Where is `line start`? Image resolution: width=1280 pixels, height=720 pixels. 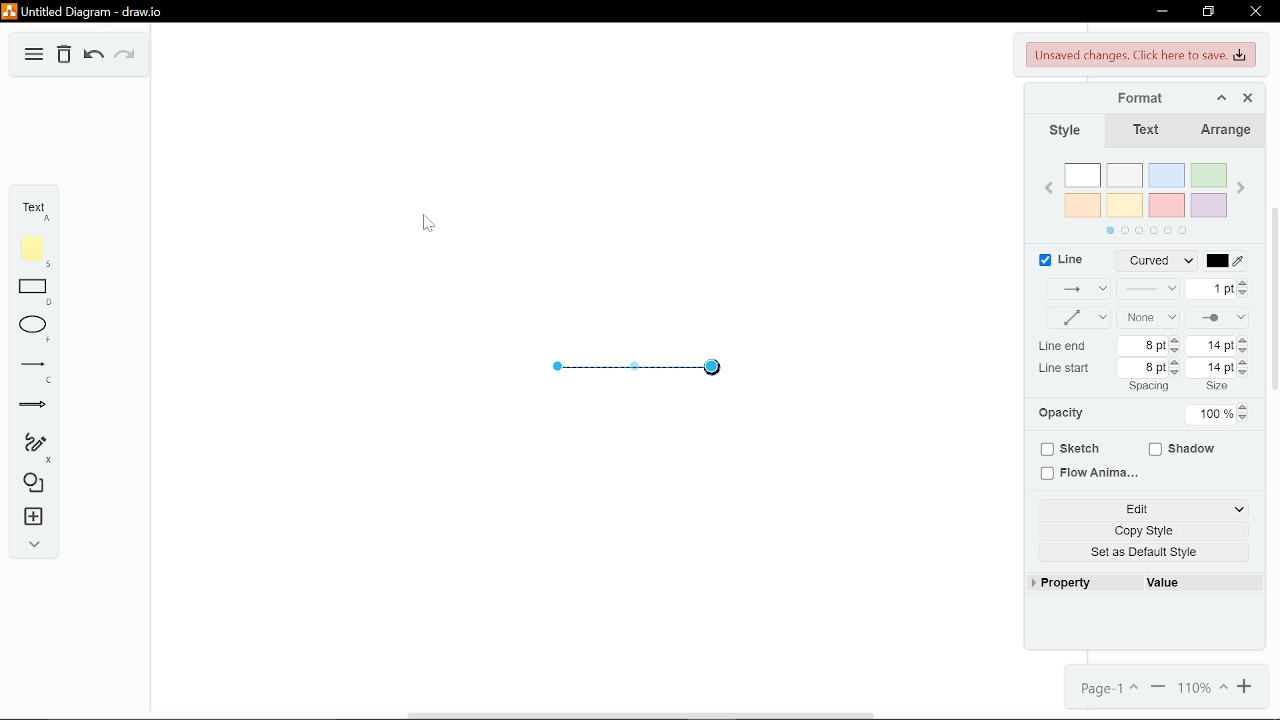
line start is located at coordinates (1067, 367).